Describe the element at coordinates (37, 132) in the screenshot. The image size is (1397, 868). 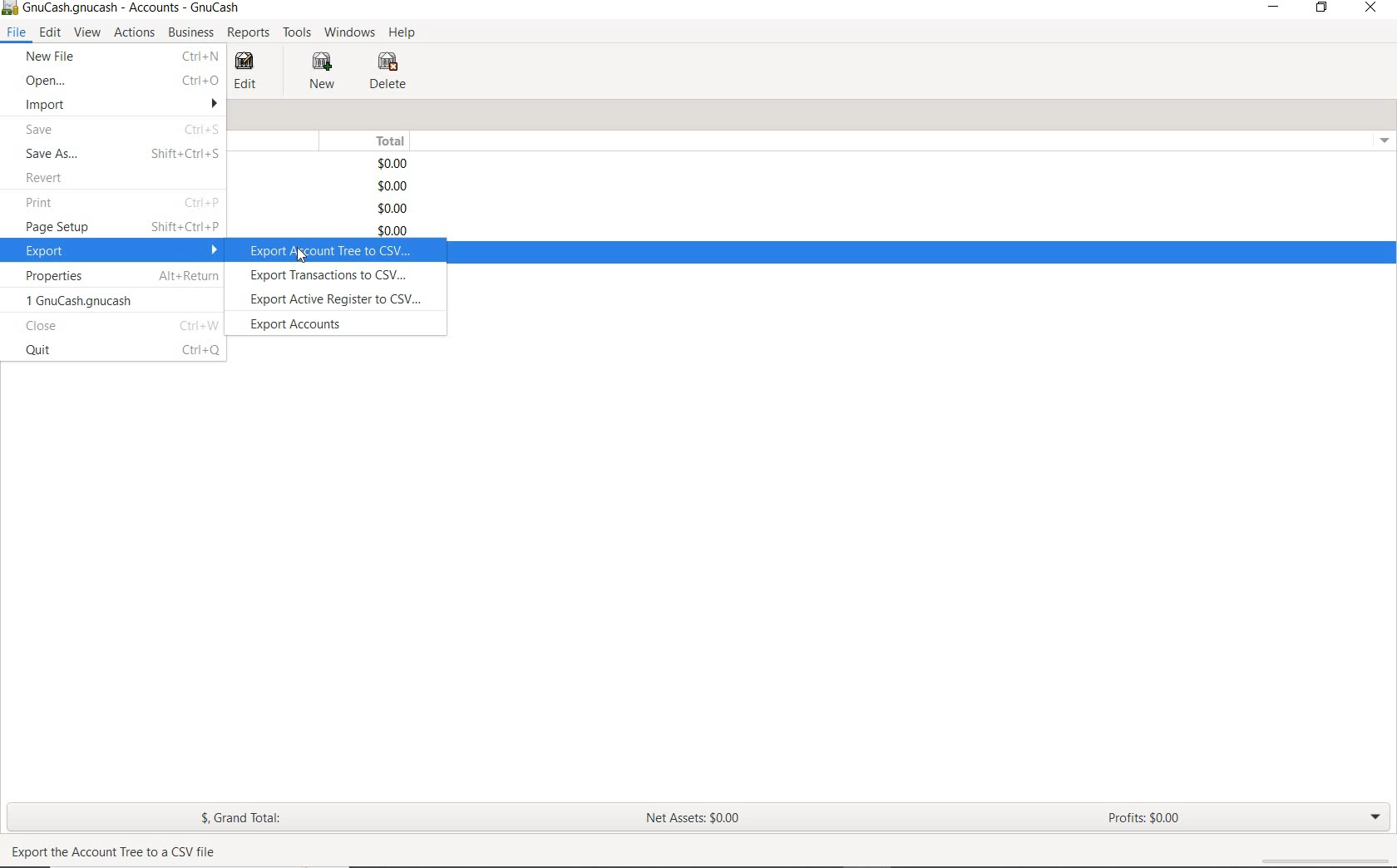
I see `SAVE` at that location.